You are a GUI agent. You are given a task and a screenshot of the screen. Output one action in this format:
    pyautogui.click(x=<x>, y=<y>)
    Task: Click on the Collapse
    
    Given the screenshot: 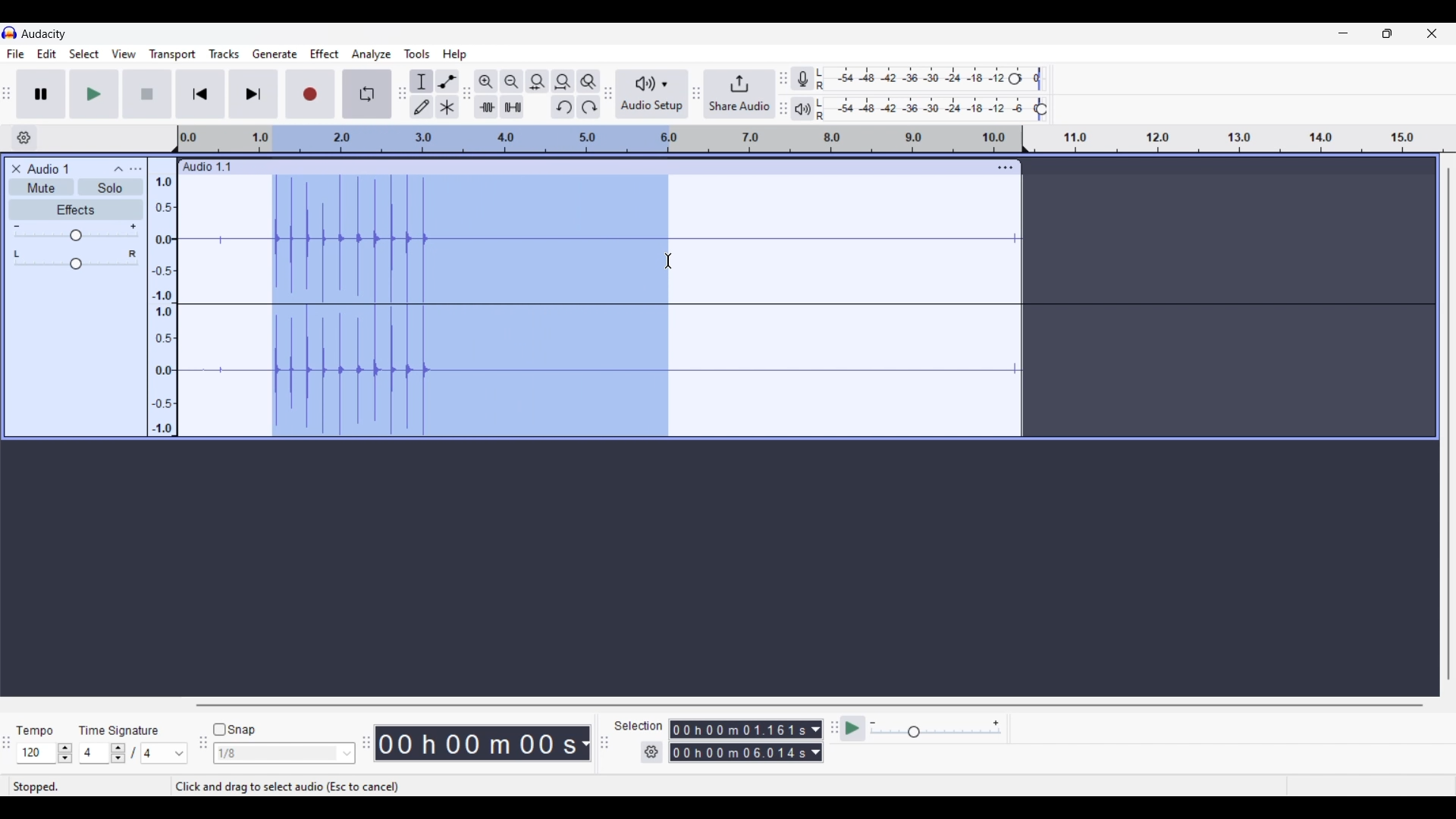 What is the action you would take?
    pyautogui.click(x=118, y=169)
    